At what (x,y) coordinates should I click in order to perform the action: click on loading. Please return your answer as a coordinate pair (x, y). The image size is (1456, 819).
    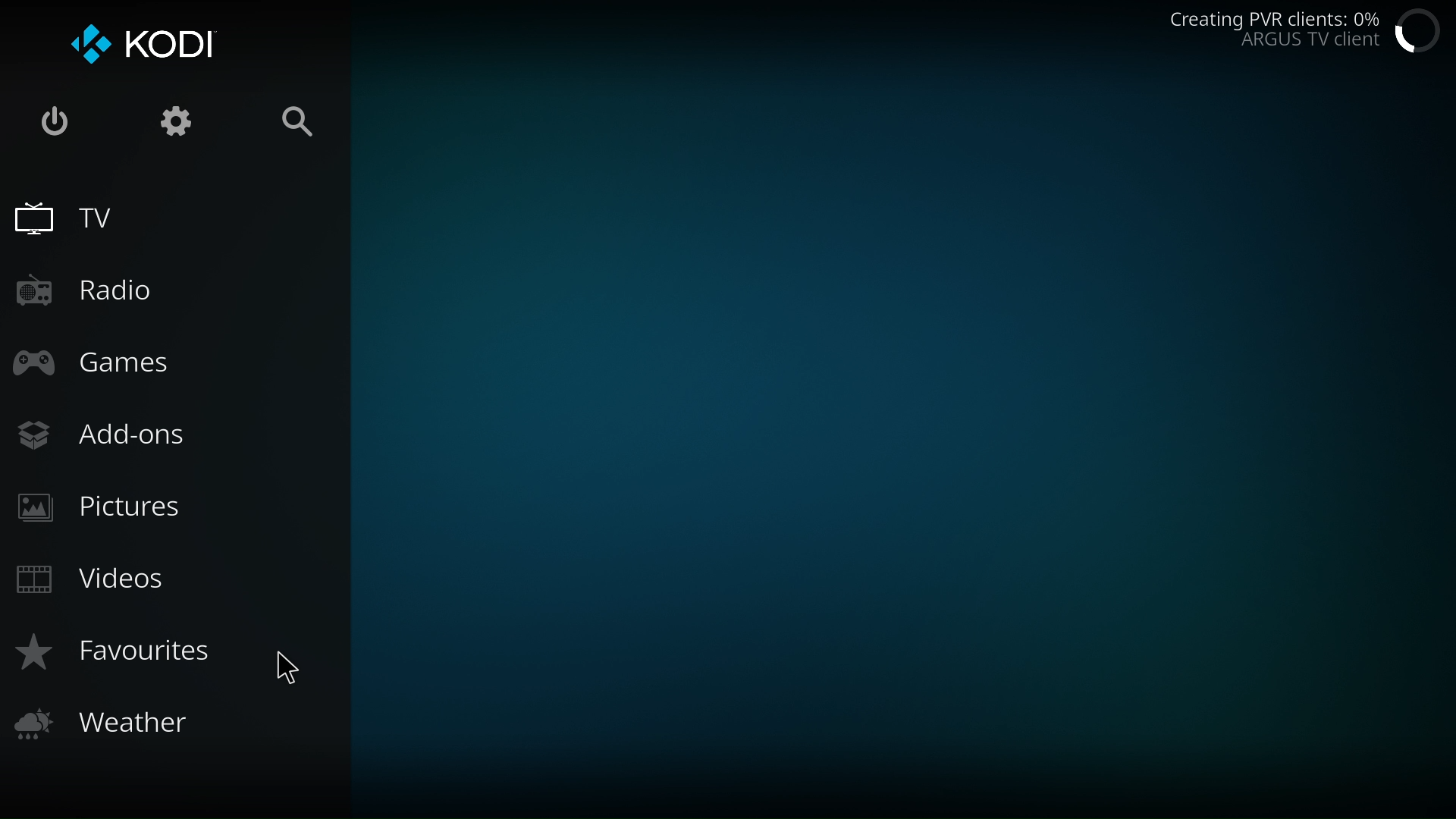
    Looking at the image, I should click on (1419, 30).